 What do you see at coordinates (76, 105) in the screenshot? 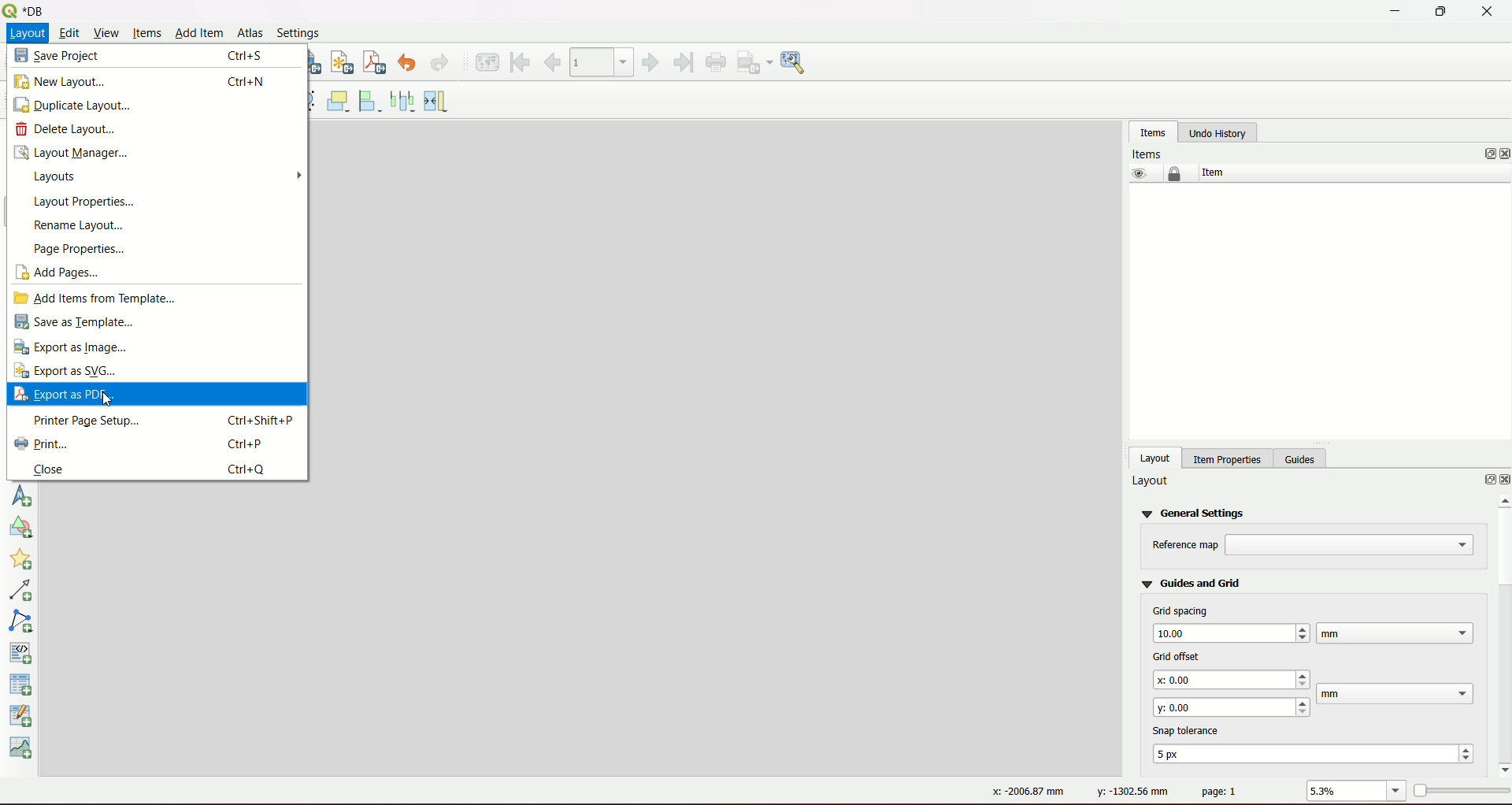
I see `duplicate layout` at bounding box center [76, 105].